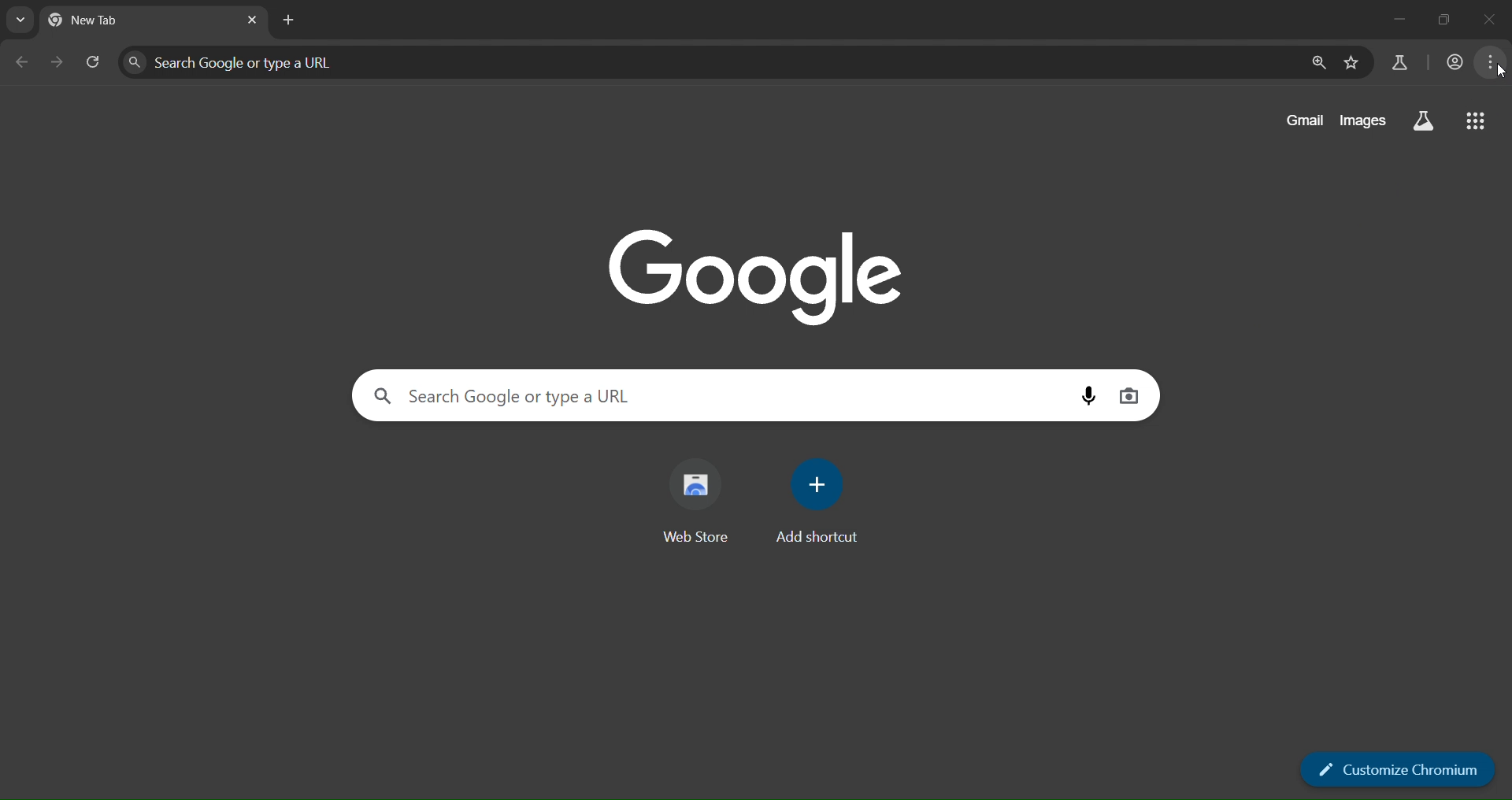  What do you see at coordinates (1451, 61) in the screenshot?
I see `account` at bounding box center [1451, 61].